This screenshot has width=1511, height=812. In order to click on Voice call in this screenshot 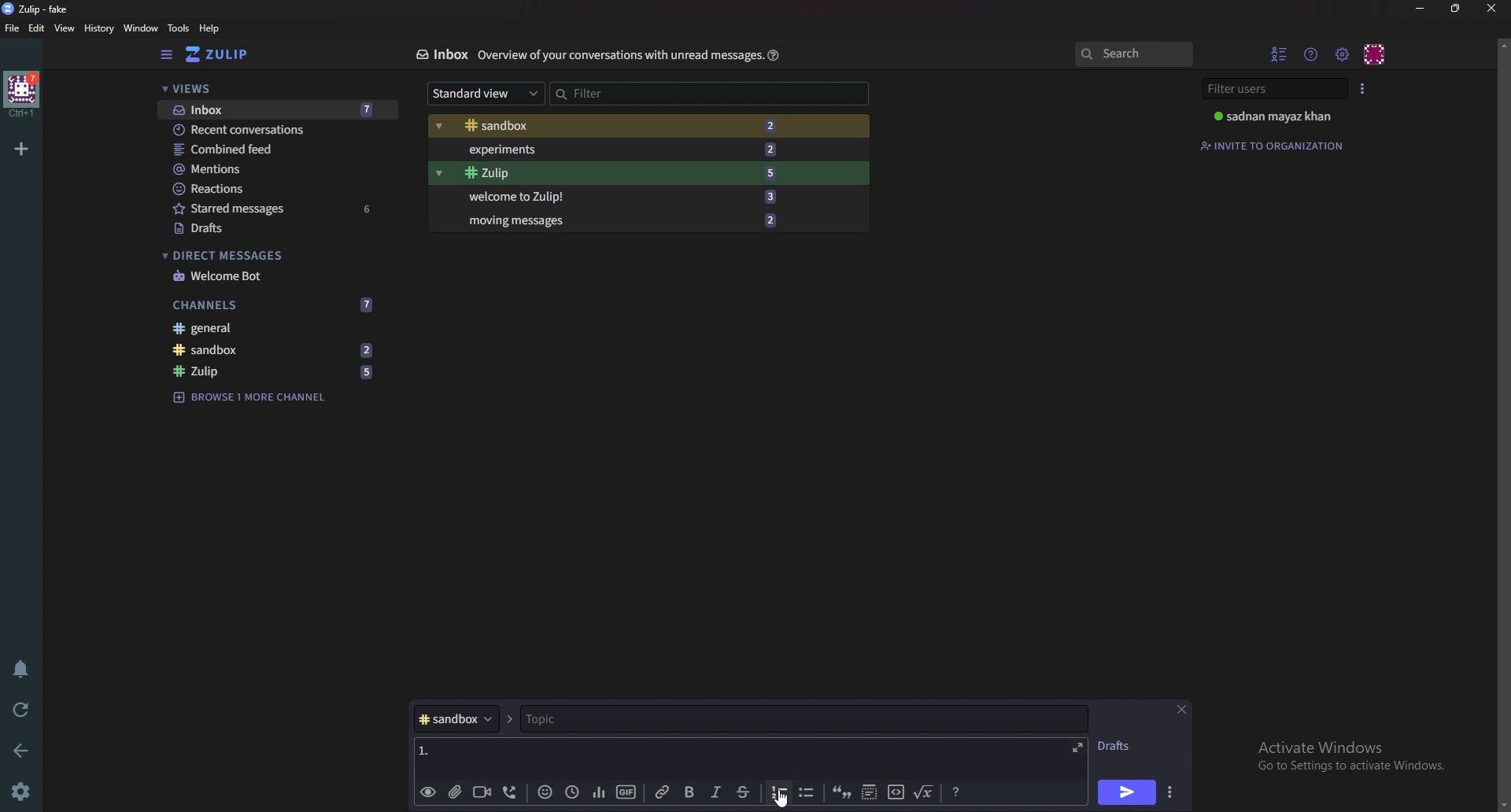, I will do `click(508, 794)`.